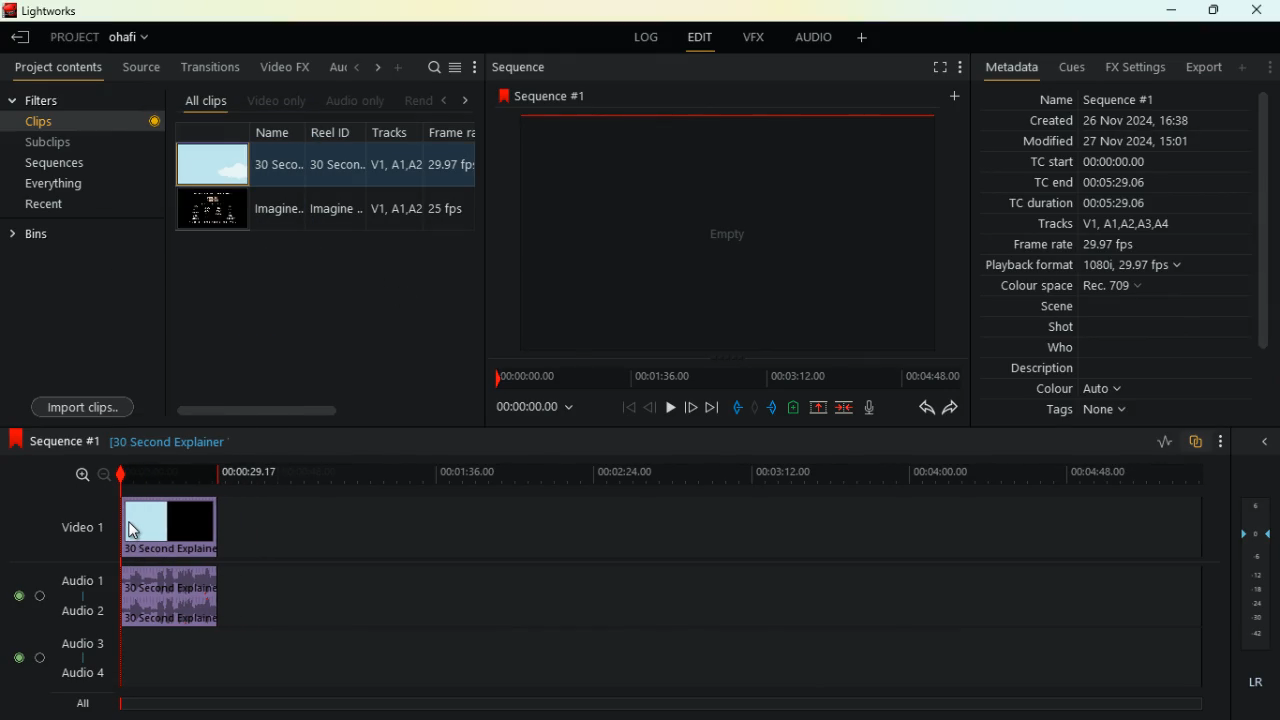 The width and height of the screenshot is (1280, 720). Describe the element at coordinates (337, 175) in the screenshot. I see `reel id` at that location.